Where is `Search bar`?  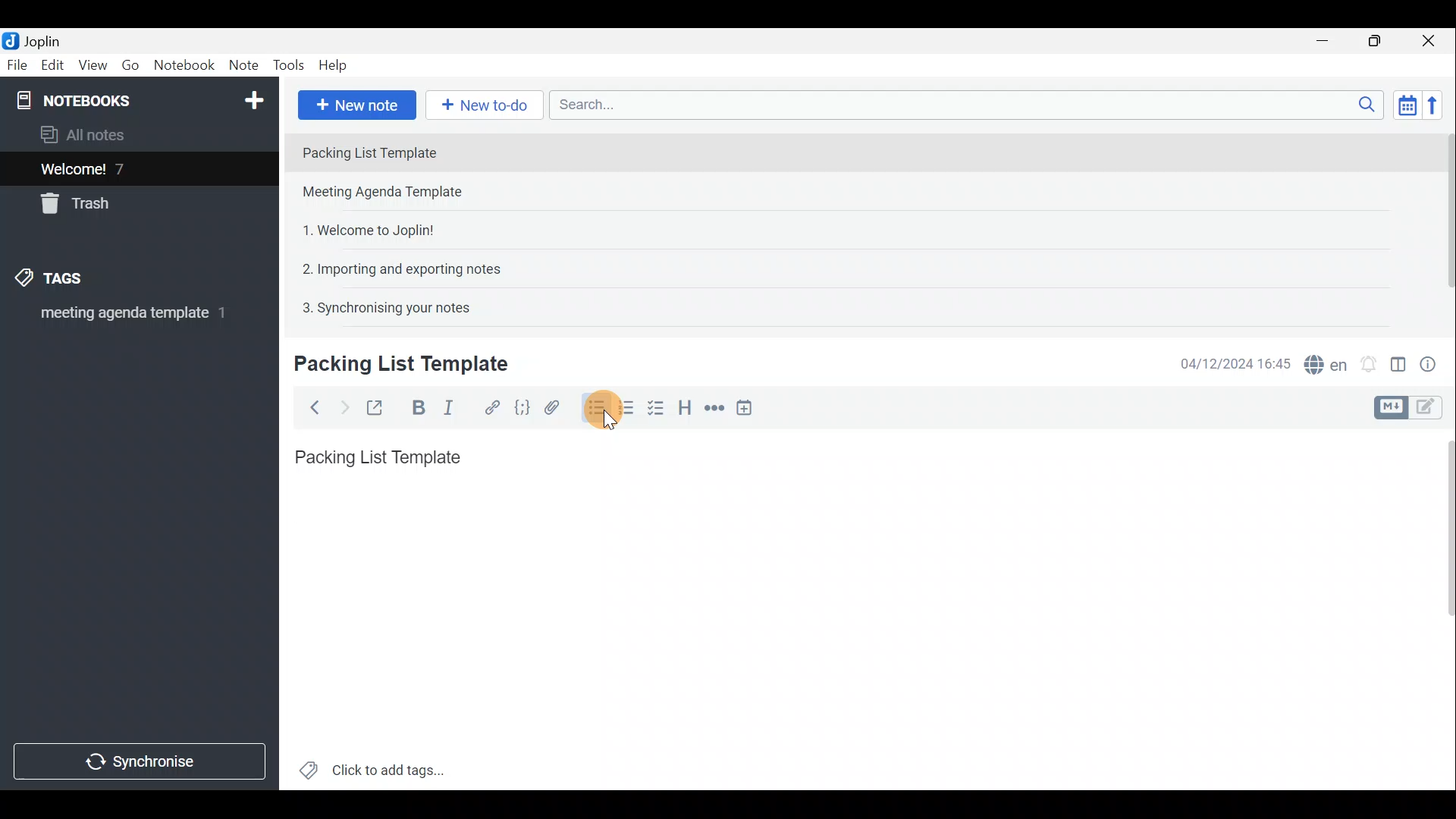 Search bar is located at coordinates (962, 106).